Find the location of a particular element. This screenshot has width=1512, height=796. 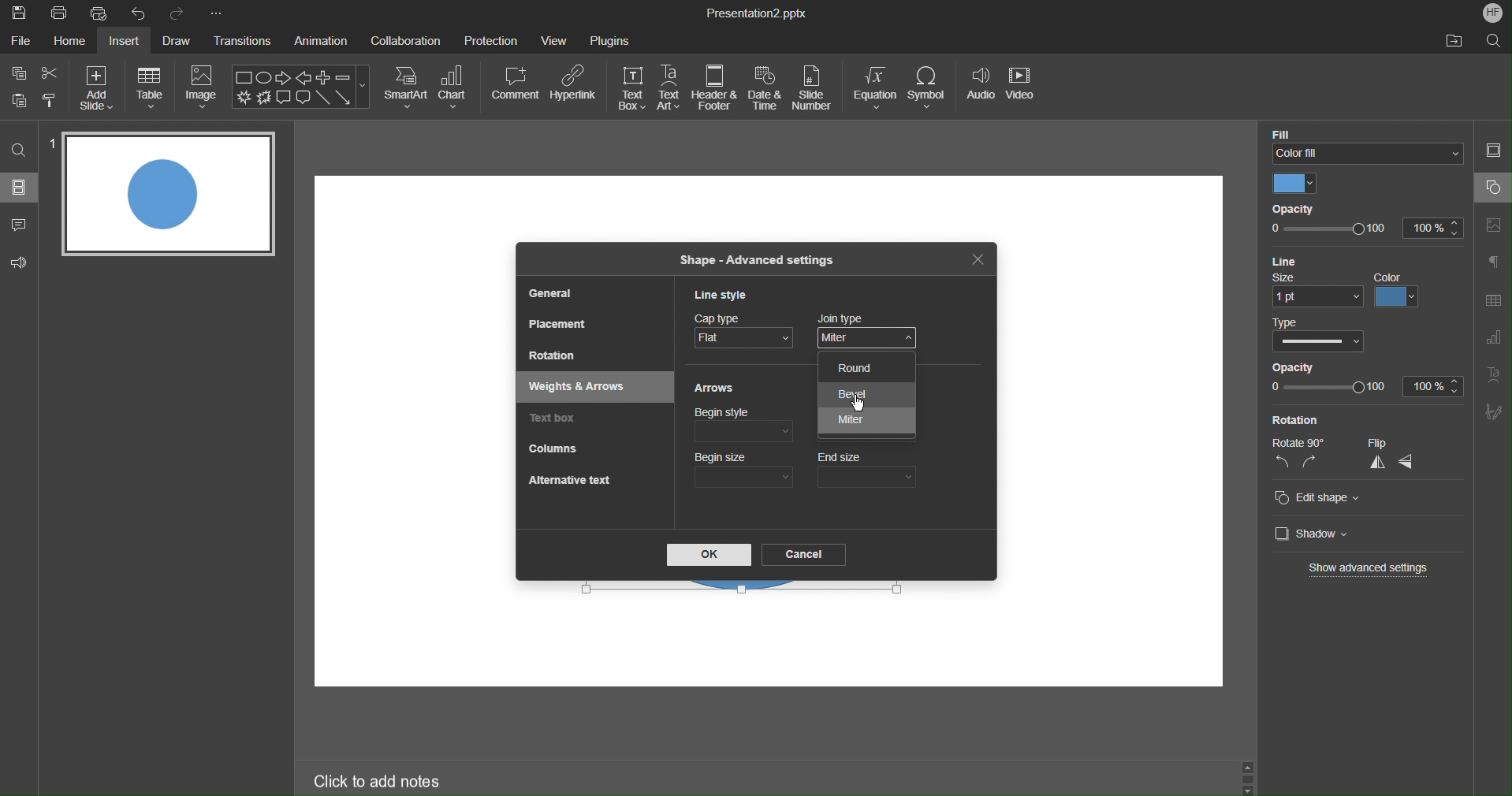

Open File Location is located at coordinates (1454, 42).